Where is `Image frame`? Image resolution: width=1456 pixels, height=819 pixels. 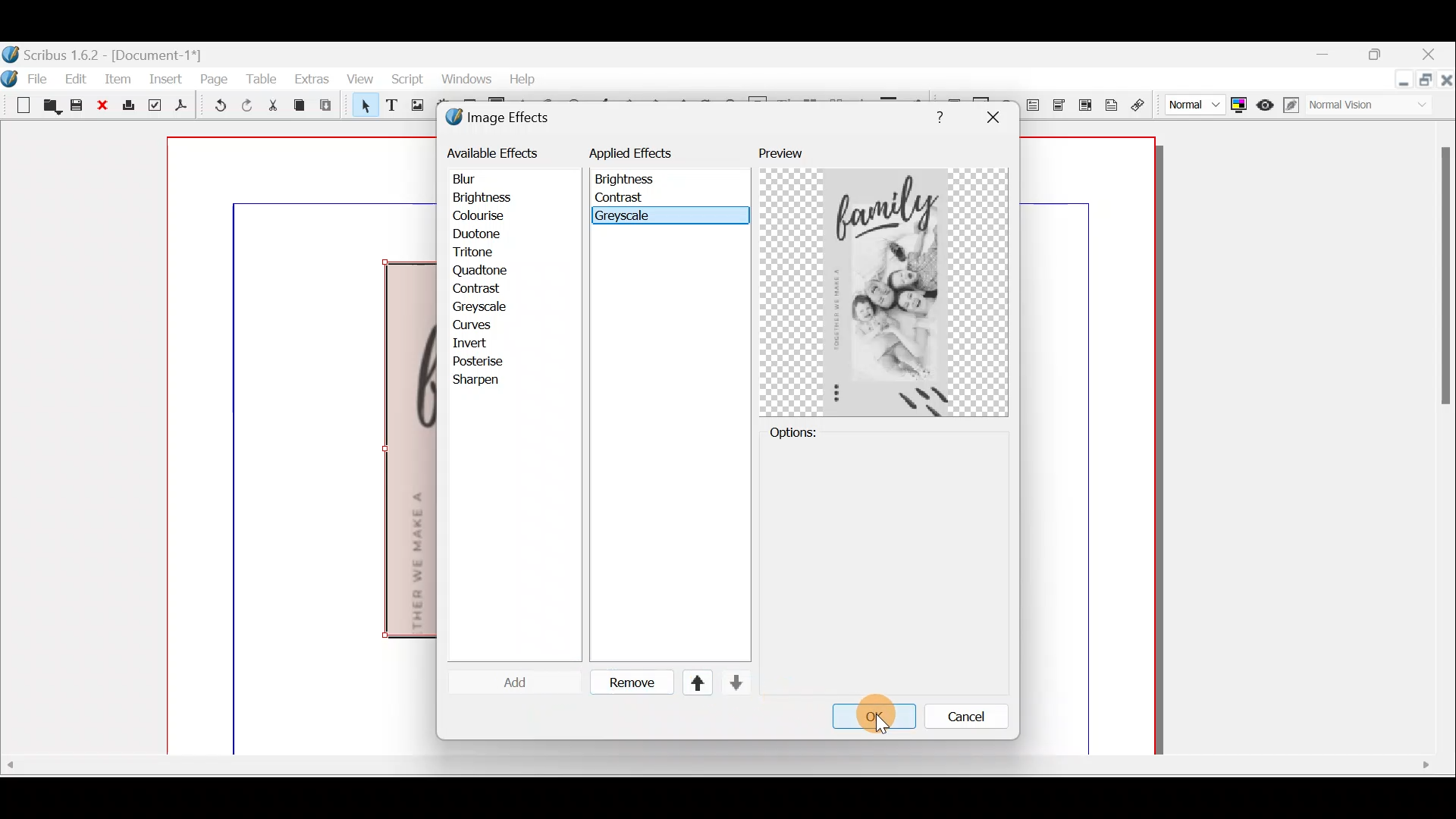 Image frame is located at coordinates (413, 105).